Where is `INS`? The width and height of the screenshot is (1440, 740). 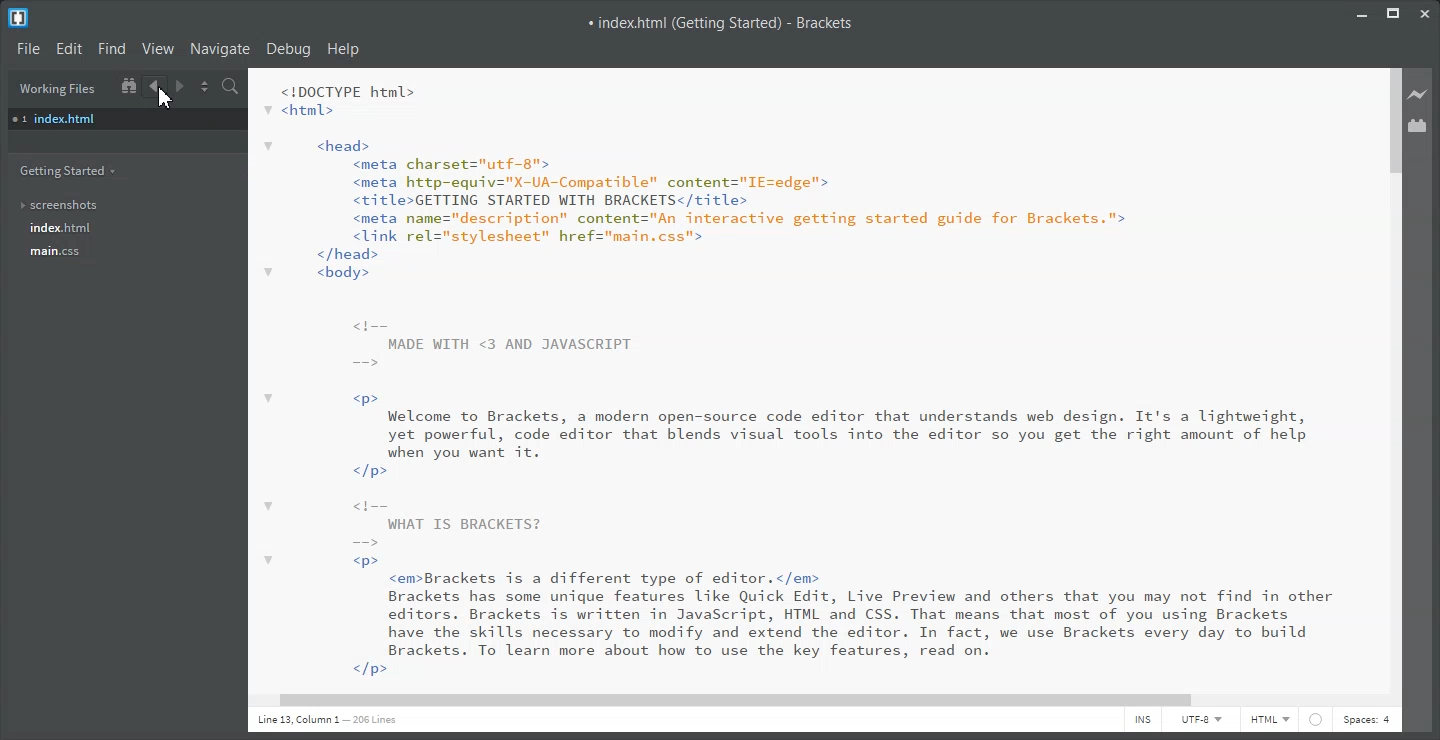
INS is located at coordinates (1142, 721).